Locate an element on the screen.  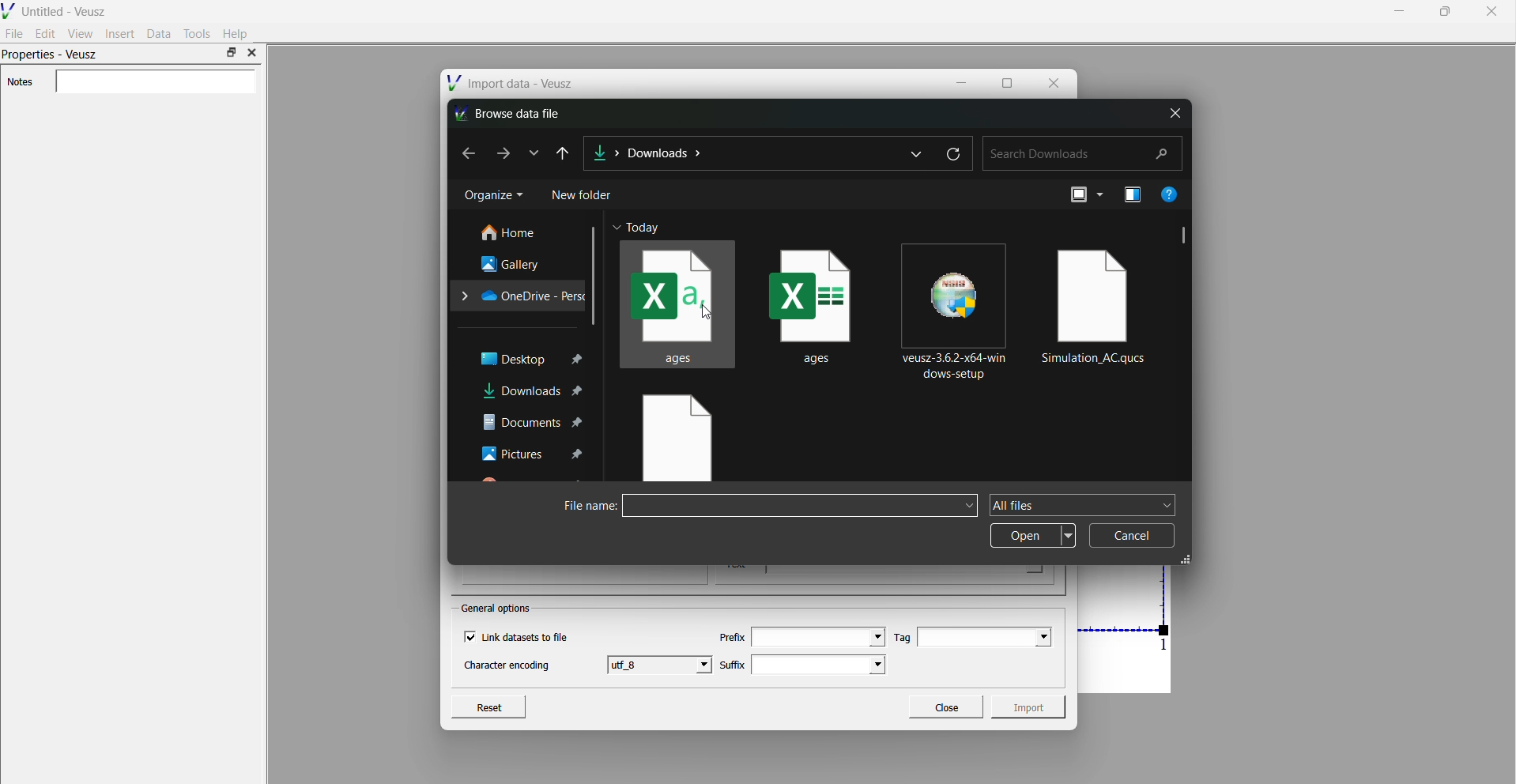
forward is located at coordinates (505, 153).